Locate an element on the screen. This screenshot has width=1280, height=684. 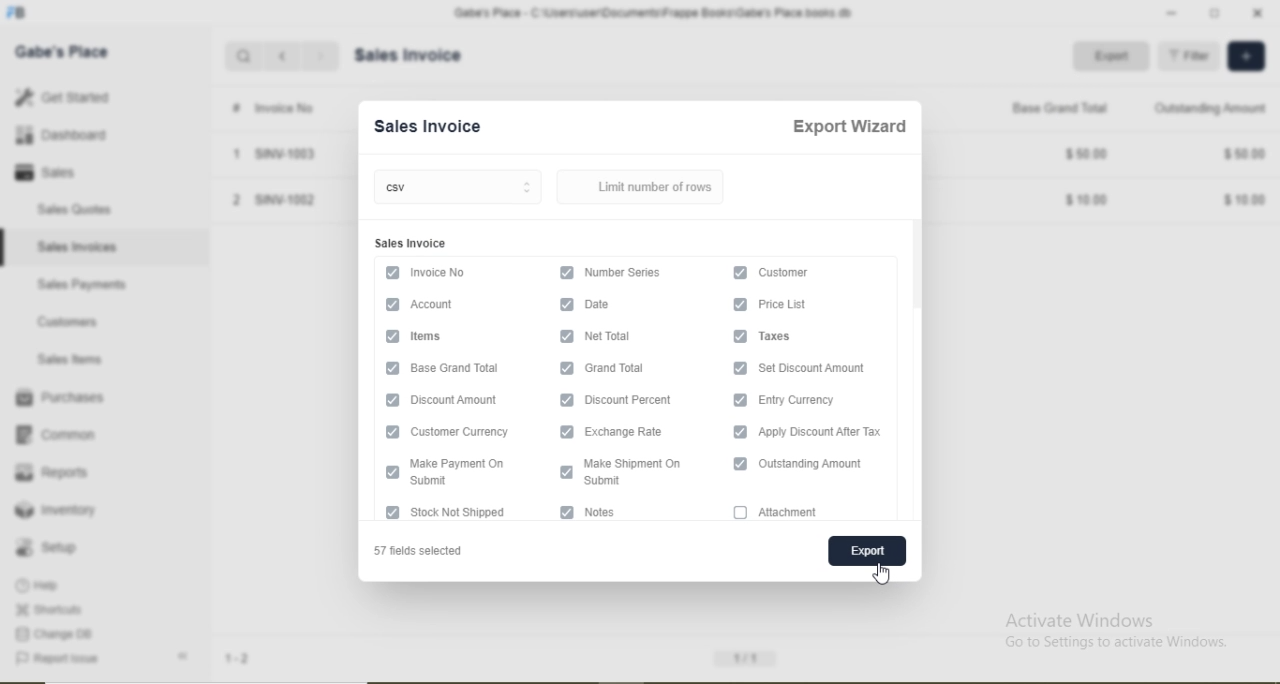
checkbox is located at coordinates (568, 512).